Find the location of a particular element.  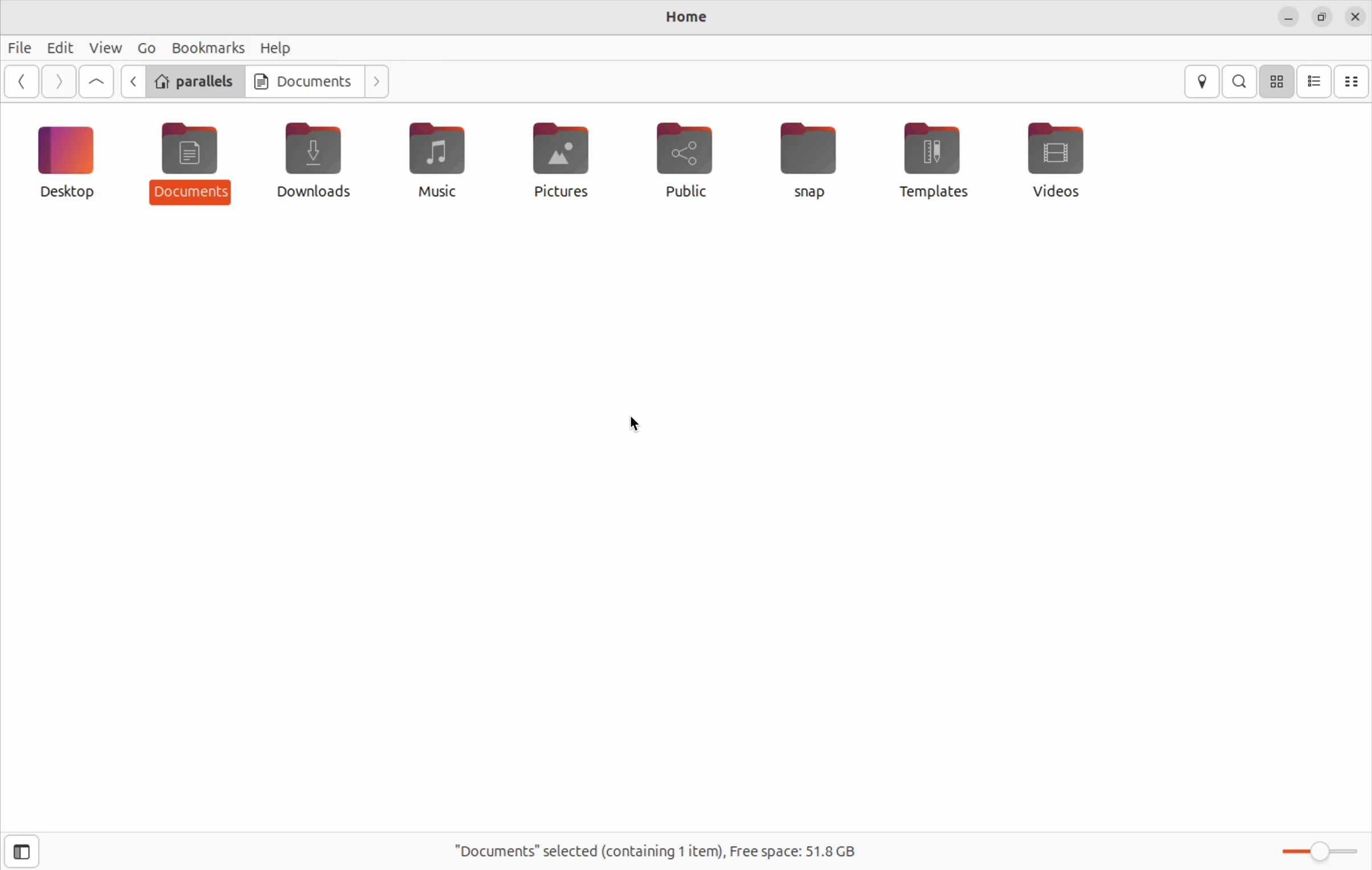

cursor is located at coordinates (643, 428).